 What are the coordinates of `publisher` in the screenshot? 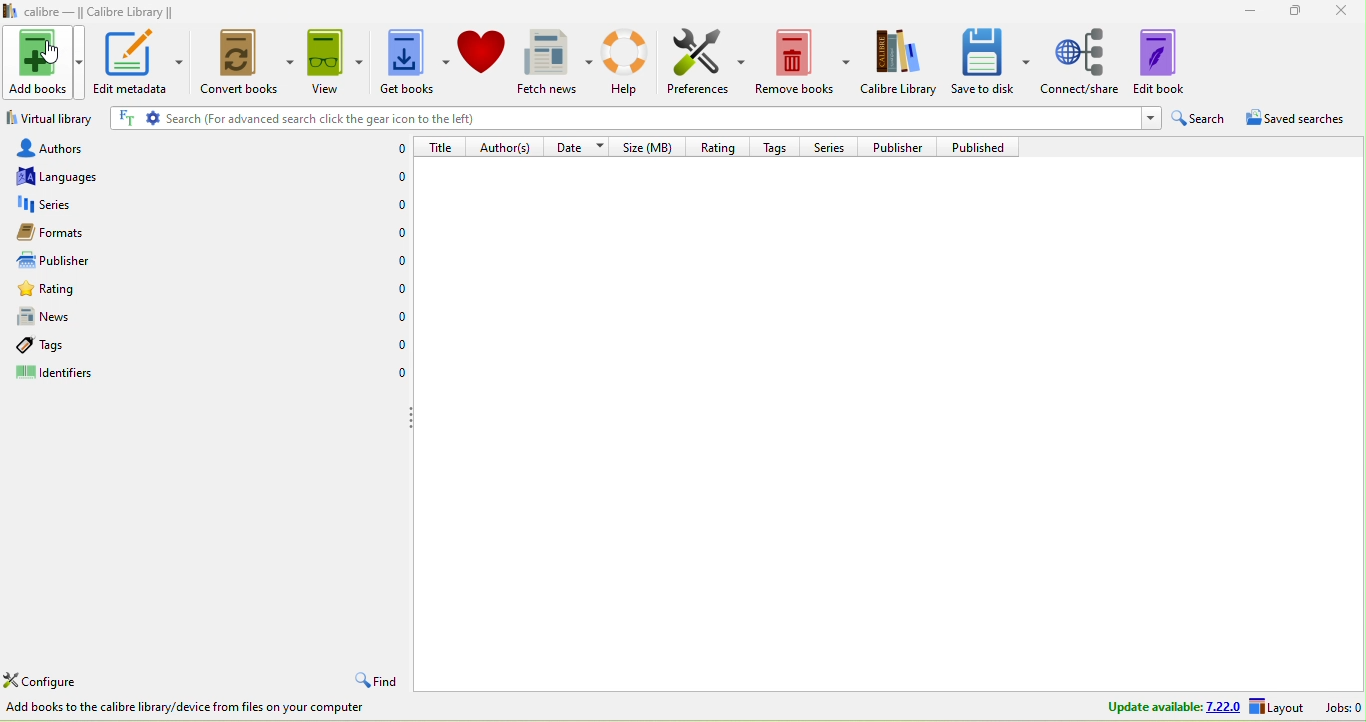 It's located at (75, 260).